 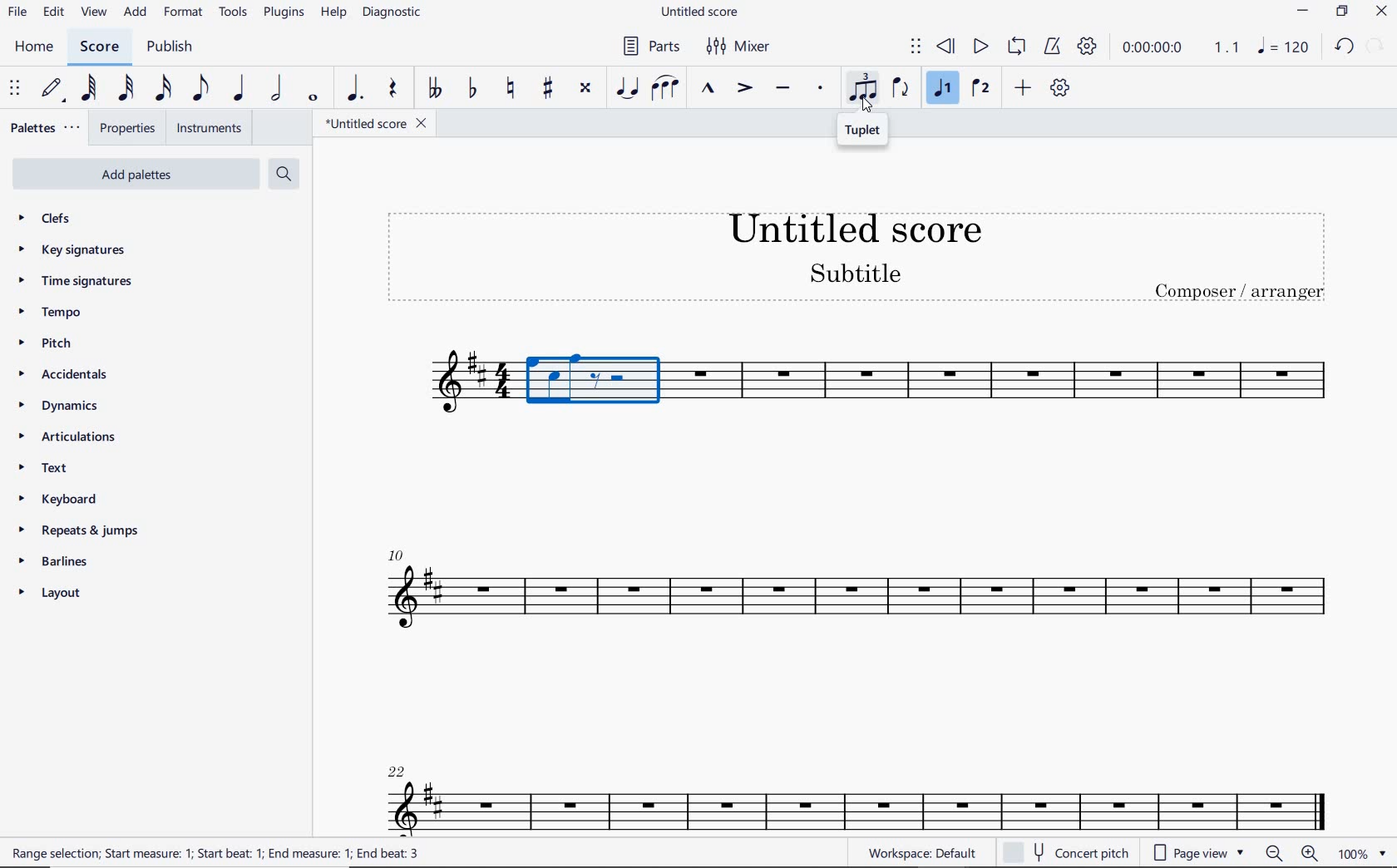 What do you see at coordinates (61, 499) in the screenshot?
I see `KEYBOARD` at bounding box center [61, 499].